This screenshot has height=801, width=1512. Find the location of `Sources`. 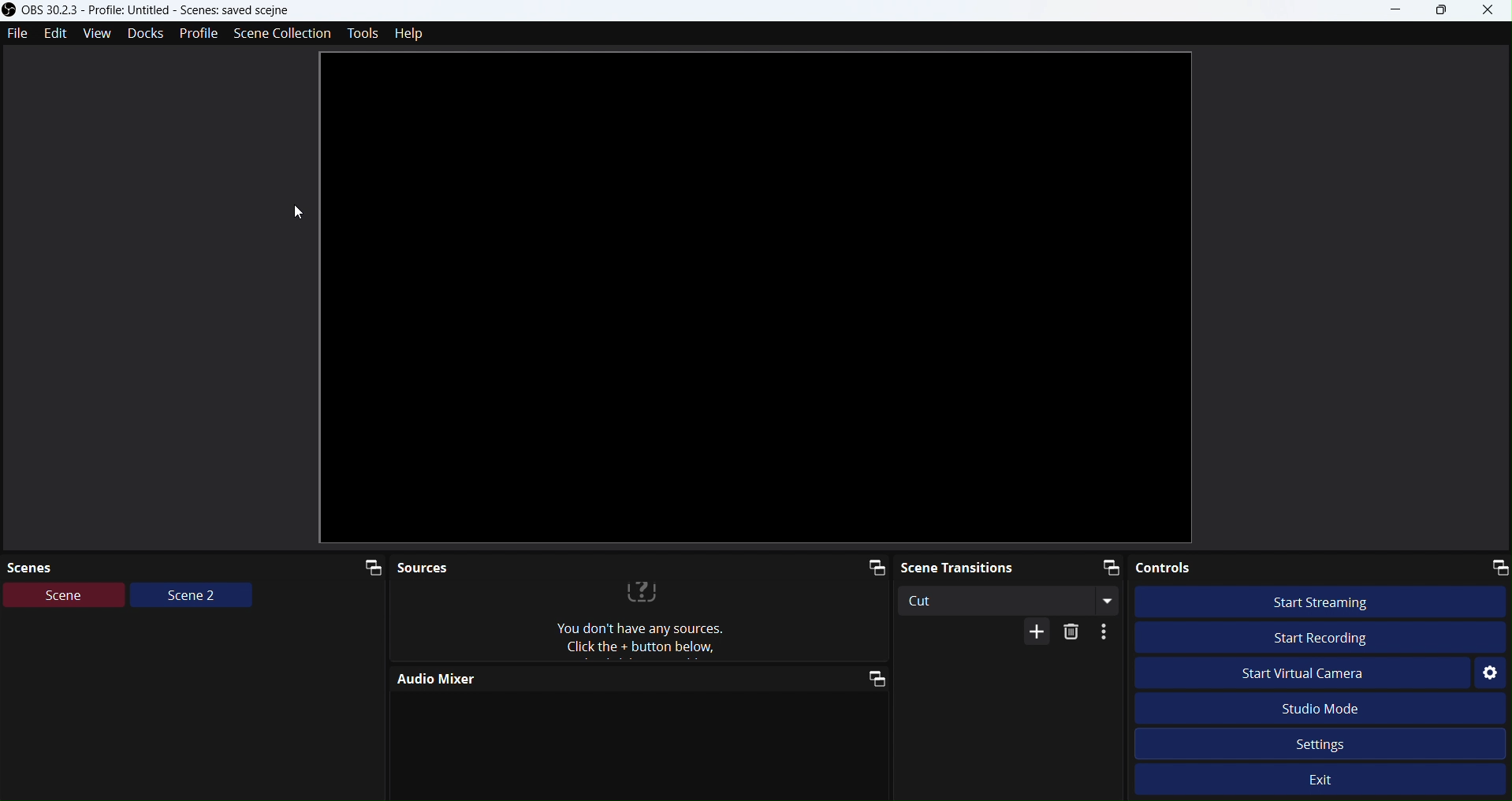

Sources is located at coordinates (642, 569).